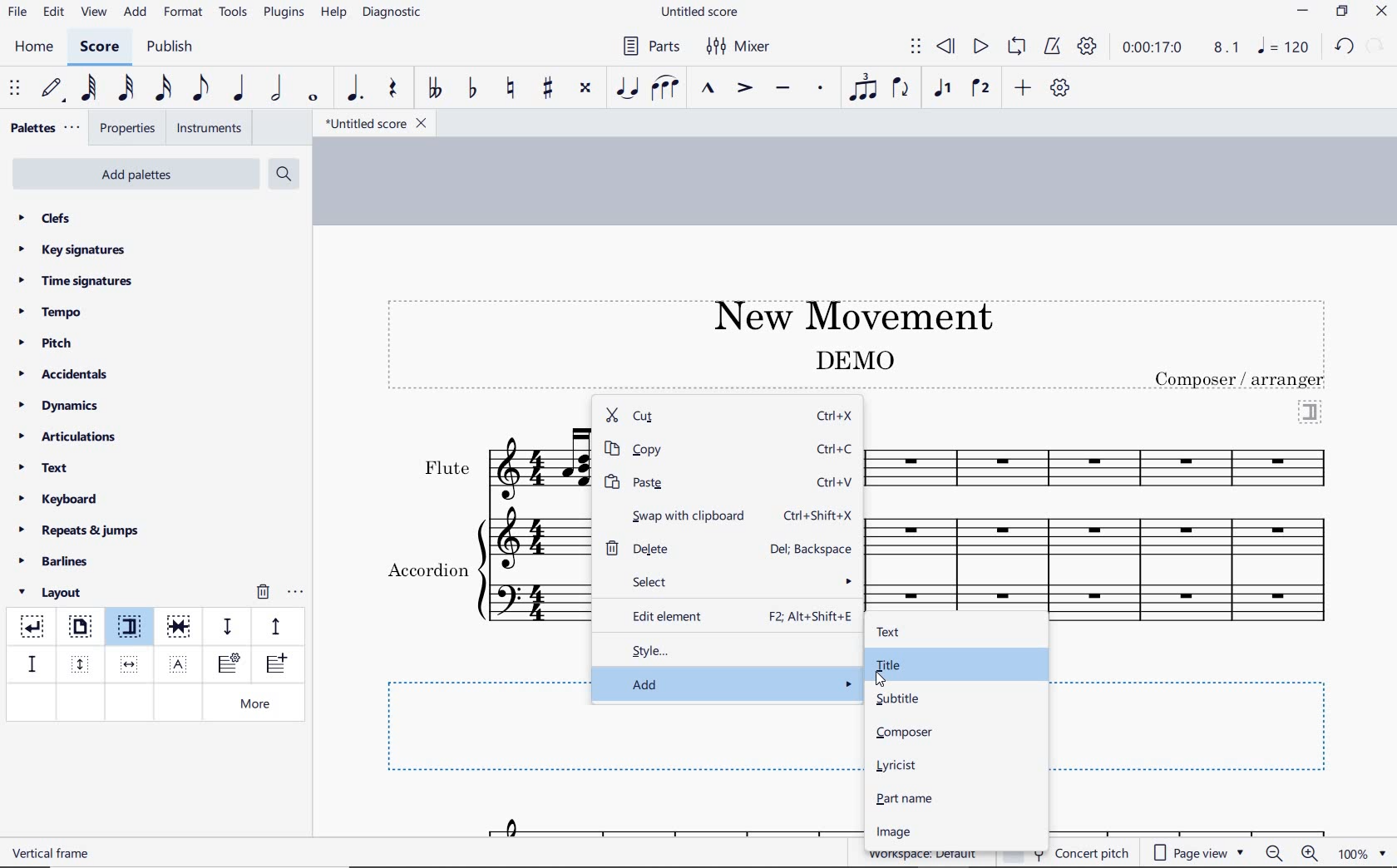 The width and height of the screenshot is (1397, 868). I want to click on play, so click(979, 48).